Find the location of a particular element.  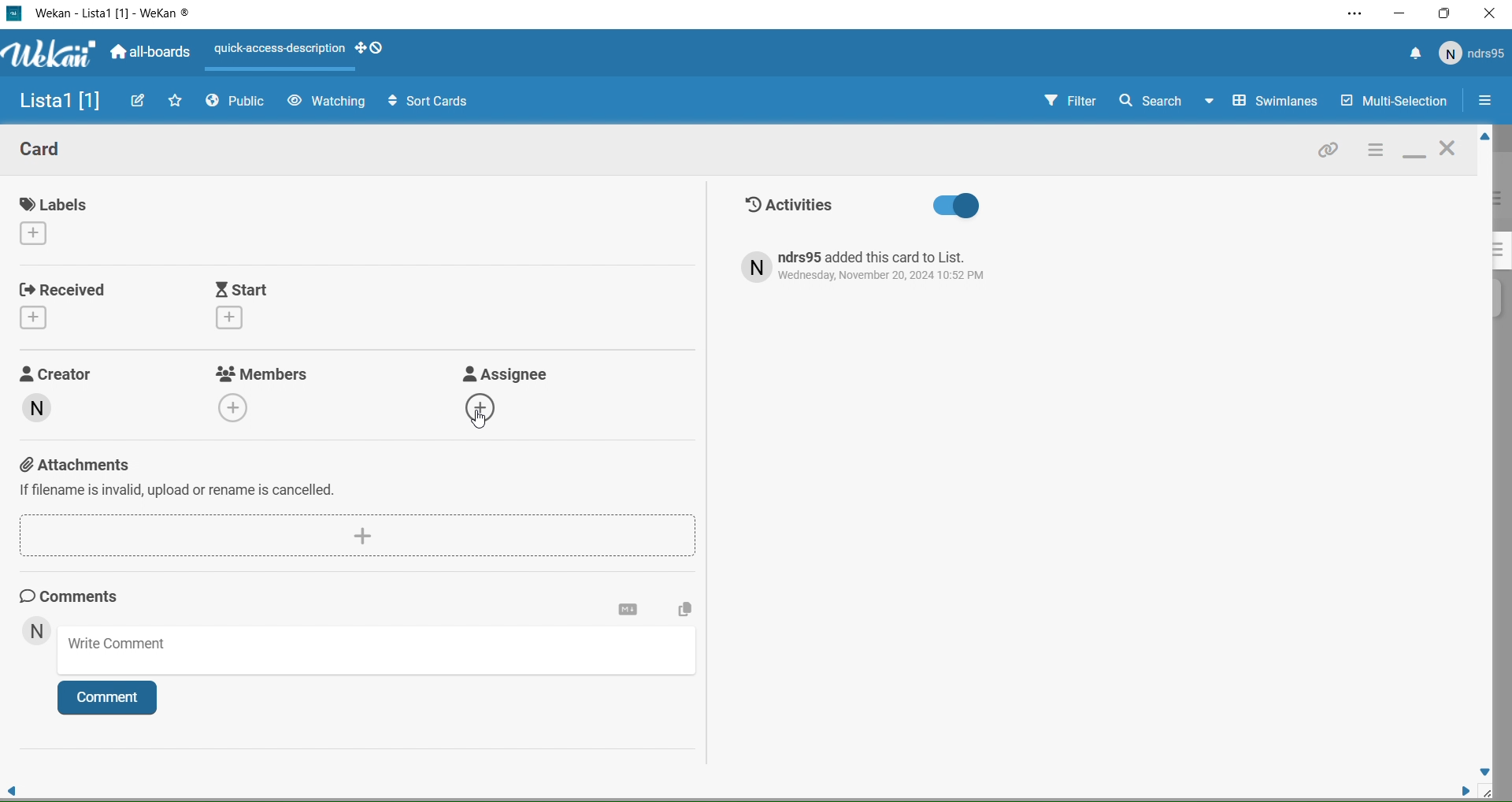

move left is located at coordinates (13, 786).